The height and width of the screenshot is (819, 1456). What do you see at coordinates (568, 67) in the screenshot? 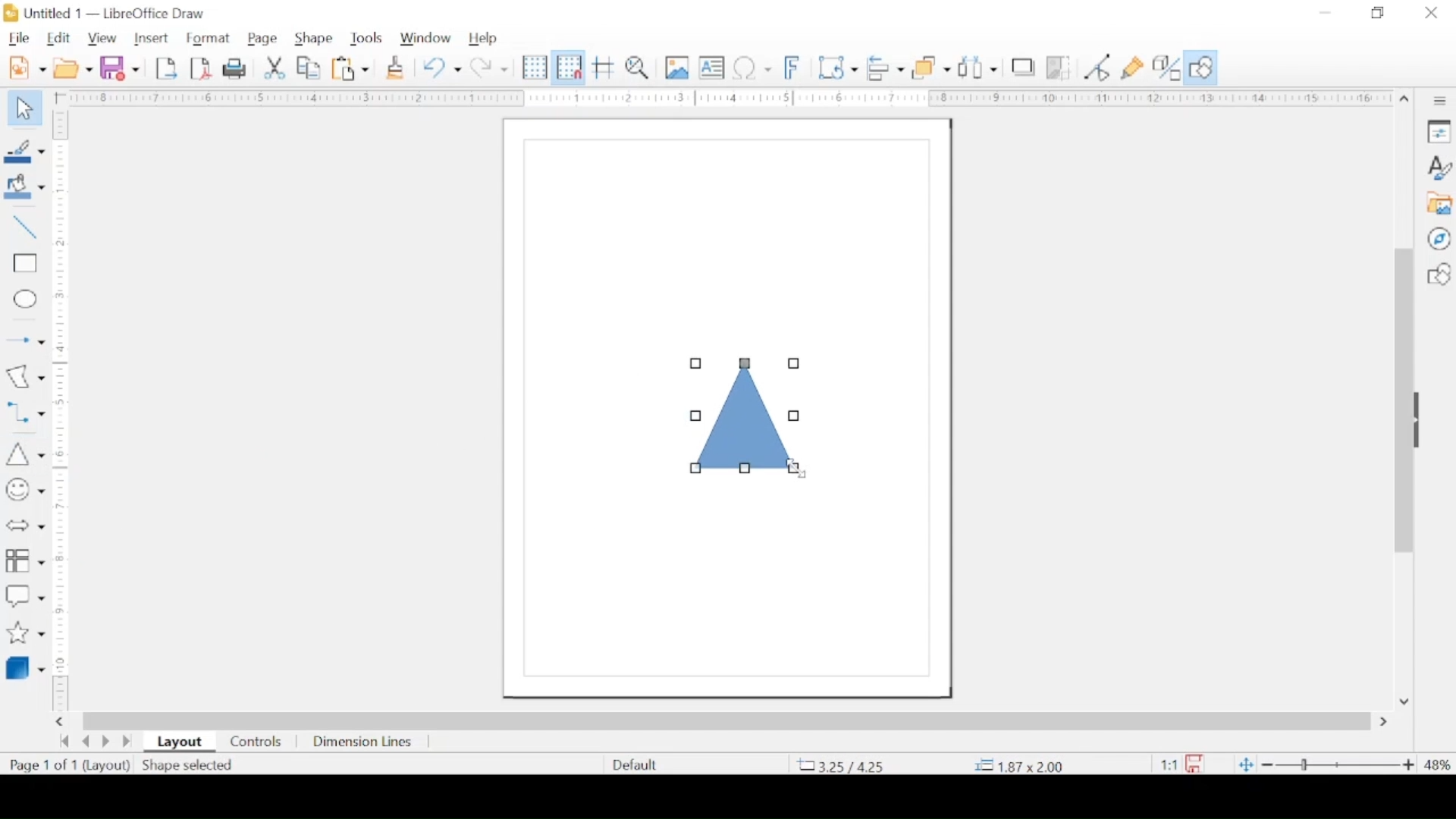
I see `snap to grid` at bounding box center [568, 67].